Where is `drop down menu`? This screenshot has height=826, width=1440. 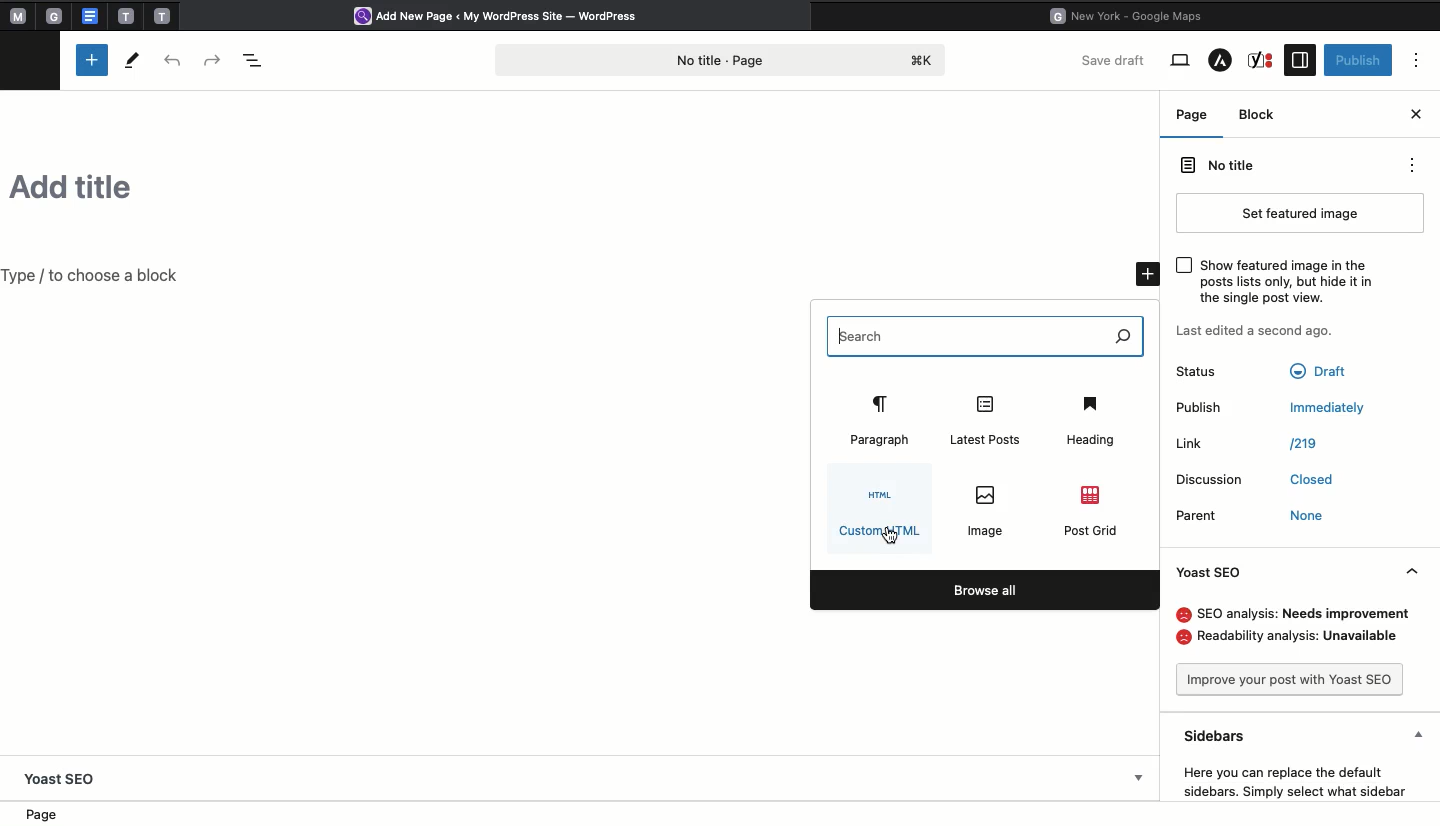 drop down menu is located at coordinates (1140, 780).